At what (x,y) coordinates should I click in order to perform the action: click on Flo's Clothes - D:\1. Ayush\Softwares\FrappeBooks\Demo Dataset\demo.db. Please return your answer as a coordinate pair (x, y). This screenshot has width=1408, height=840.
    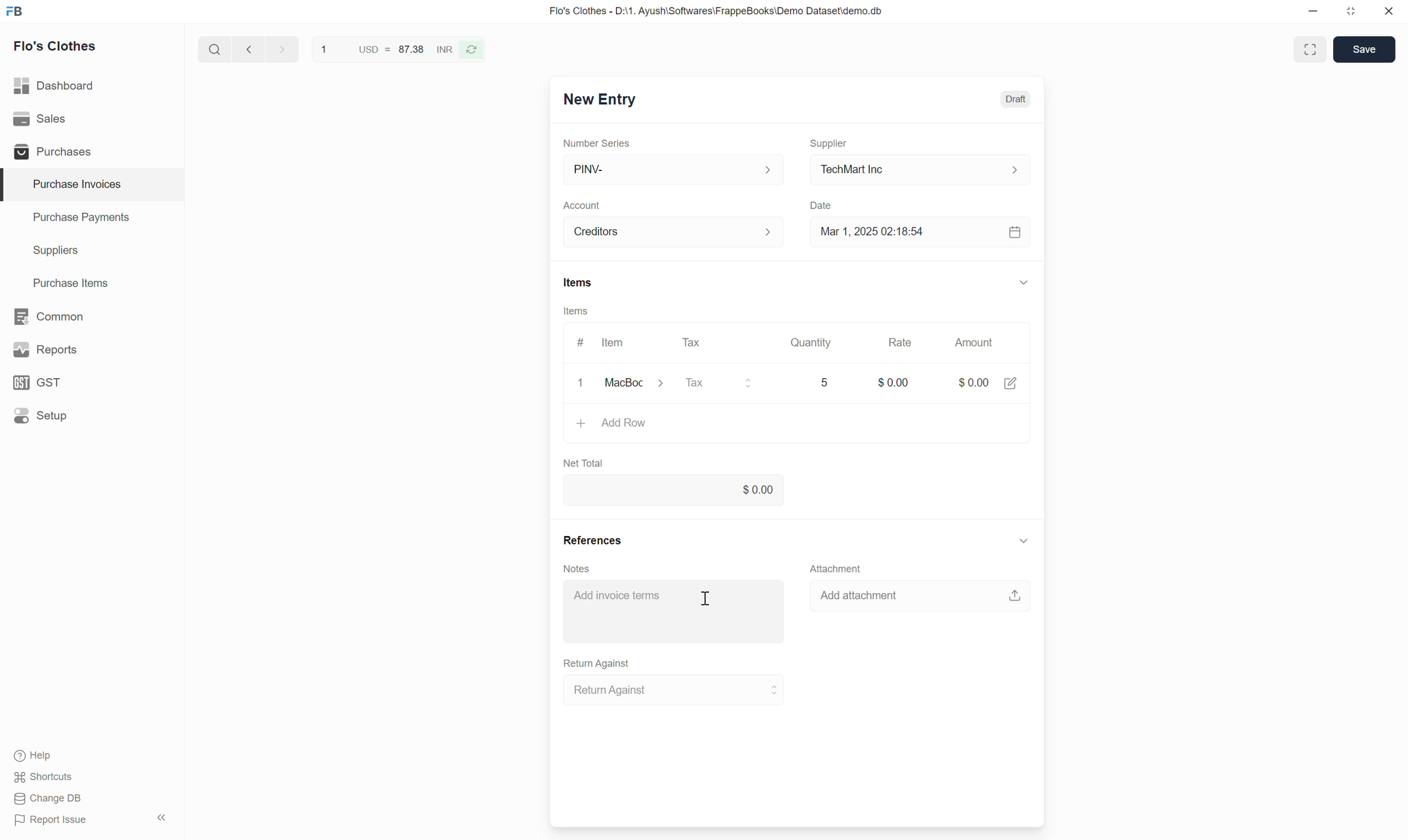
    Looking at the image, I should click on (716, 10).